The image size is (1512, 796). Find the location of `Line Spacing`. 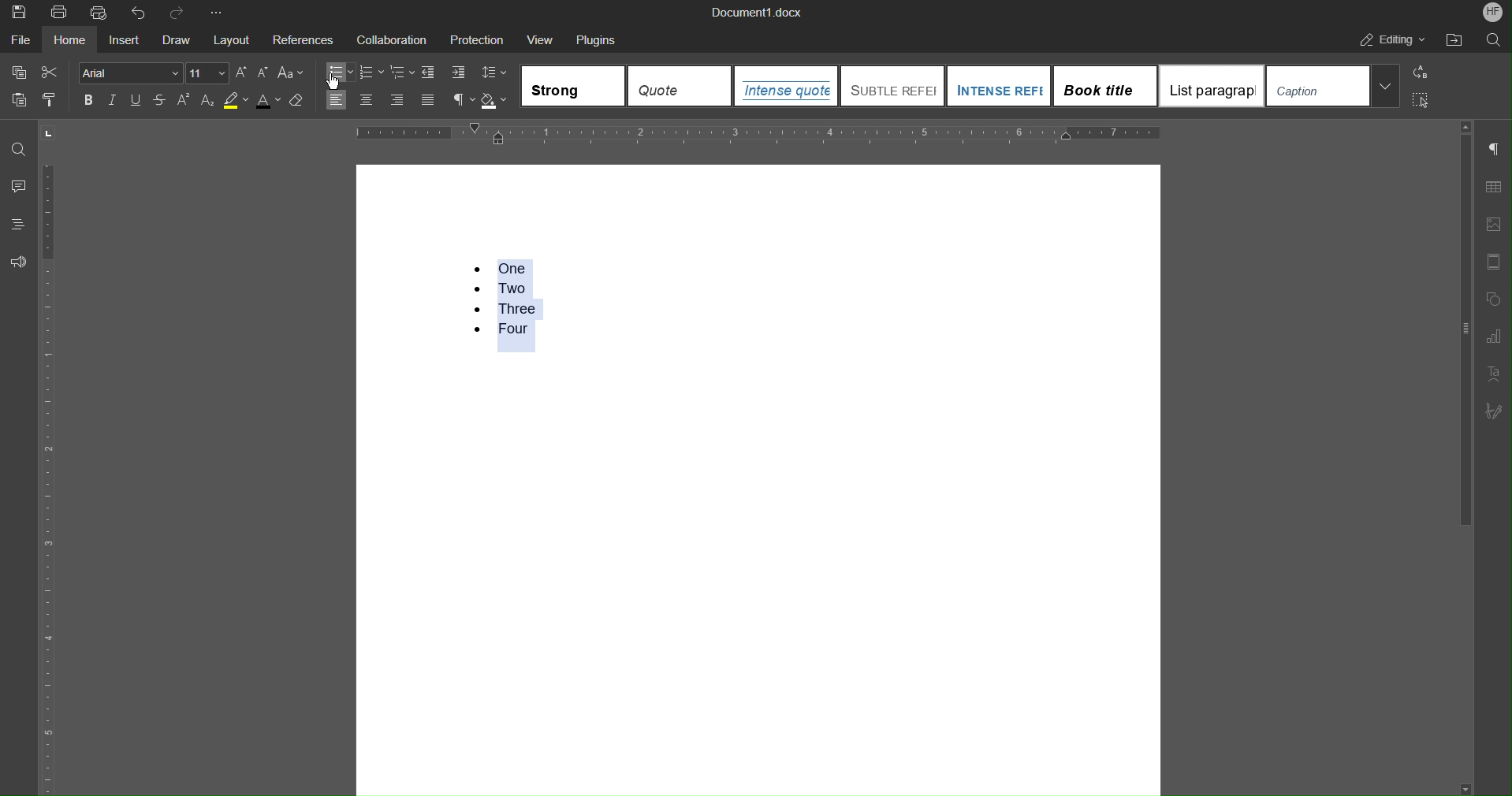

Line Spacing is located at coordinates (495, 73).